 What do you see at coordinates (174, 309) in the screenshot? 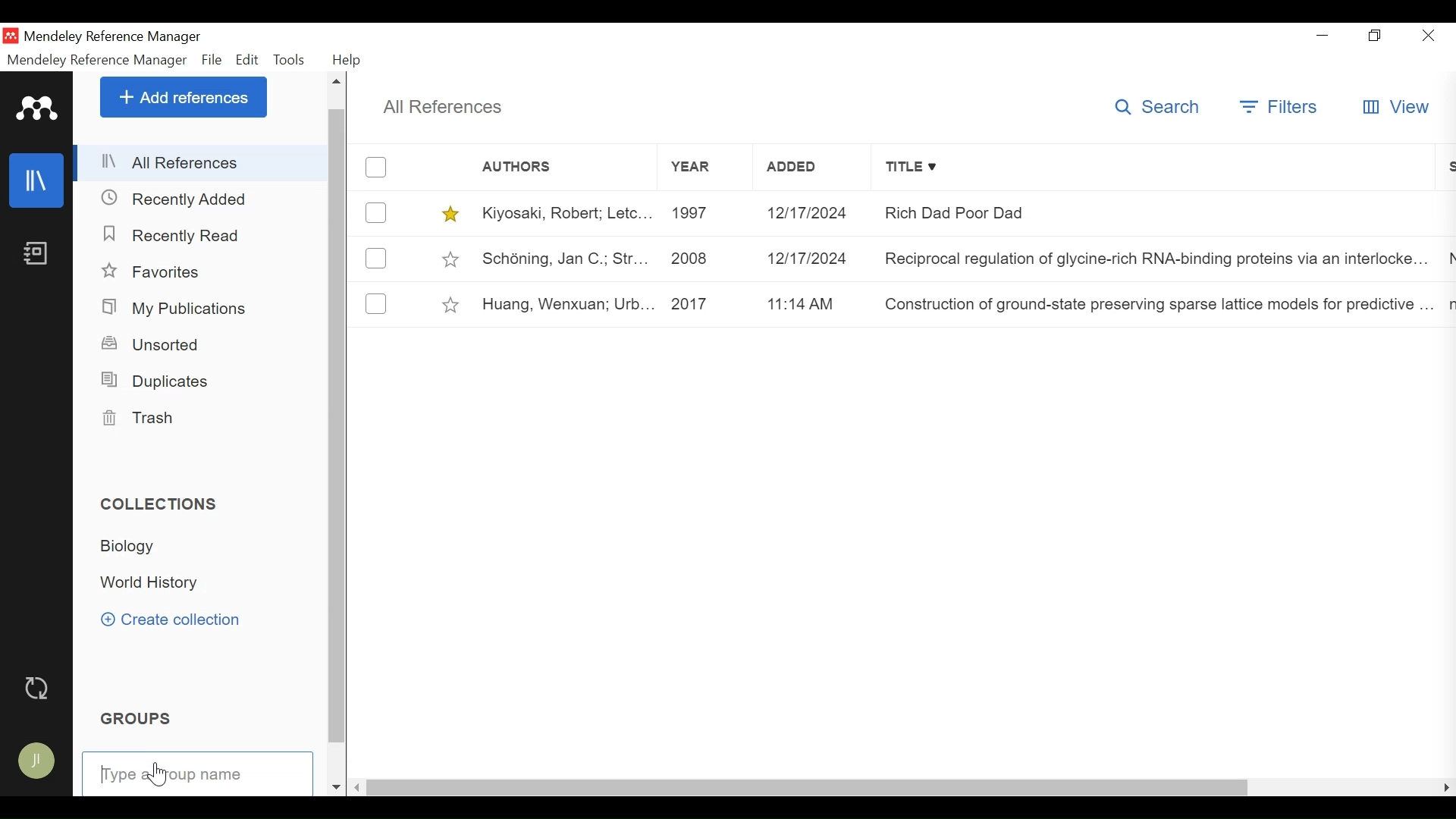
I see `My Publications` at bounding box center [174, 309].